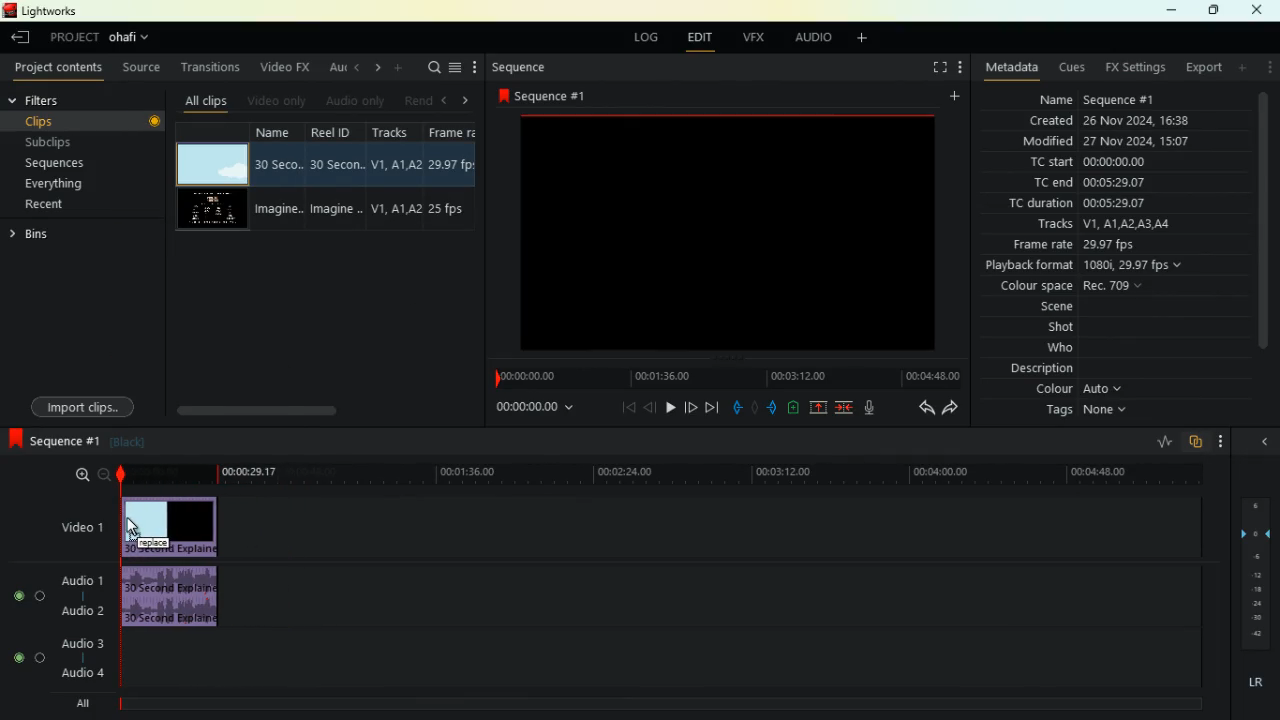 The height and width of the screenshot is (720, 1280). I want to click on forward, so click(693, 407).